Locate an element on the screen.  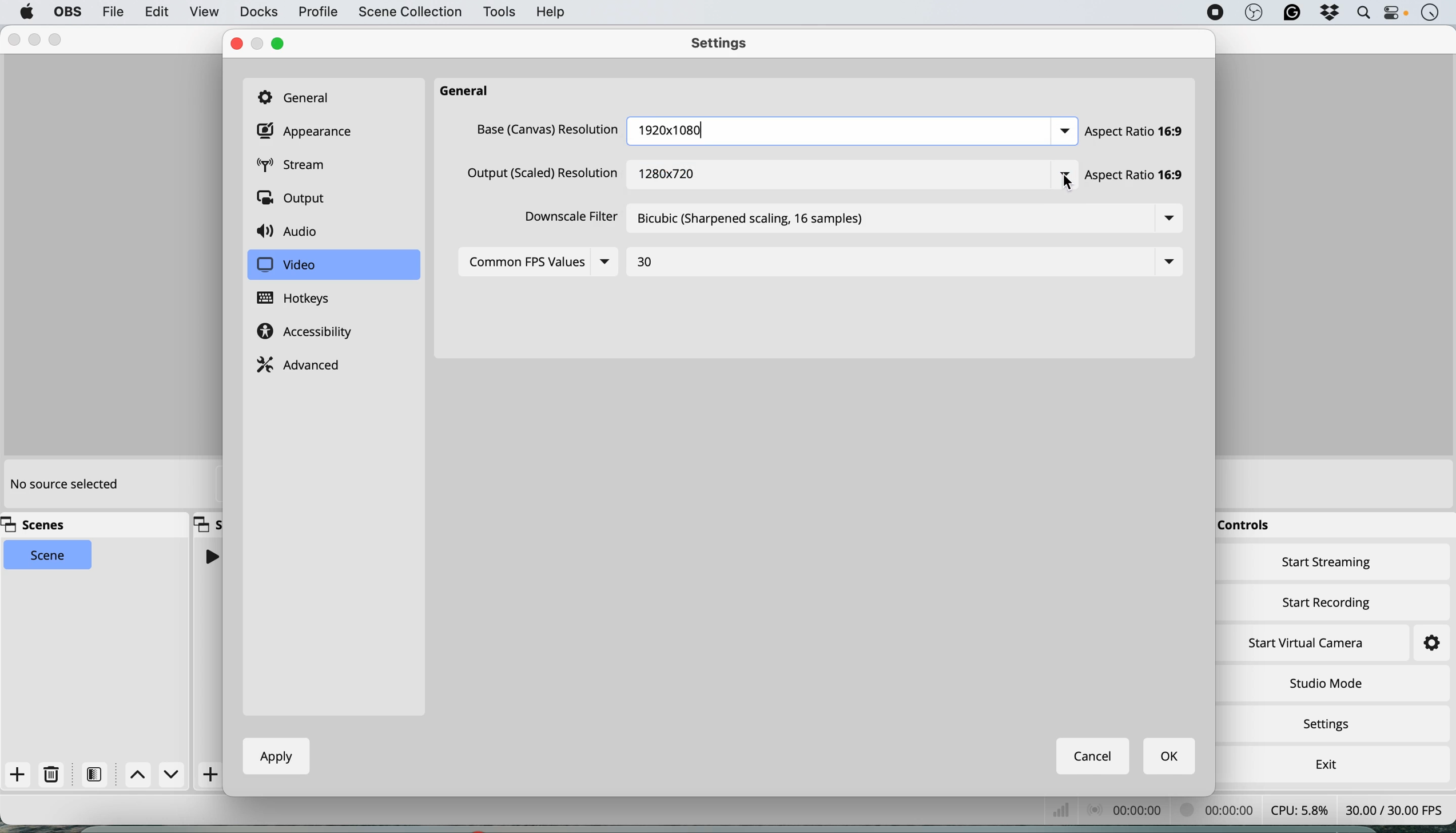
maximise is located at coordinates (58, 38).